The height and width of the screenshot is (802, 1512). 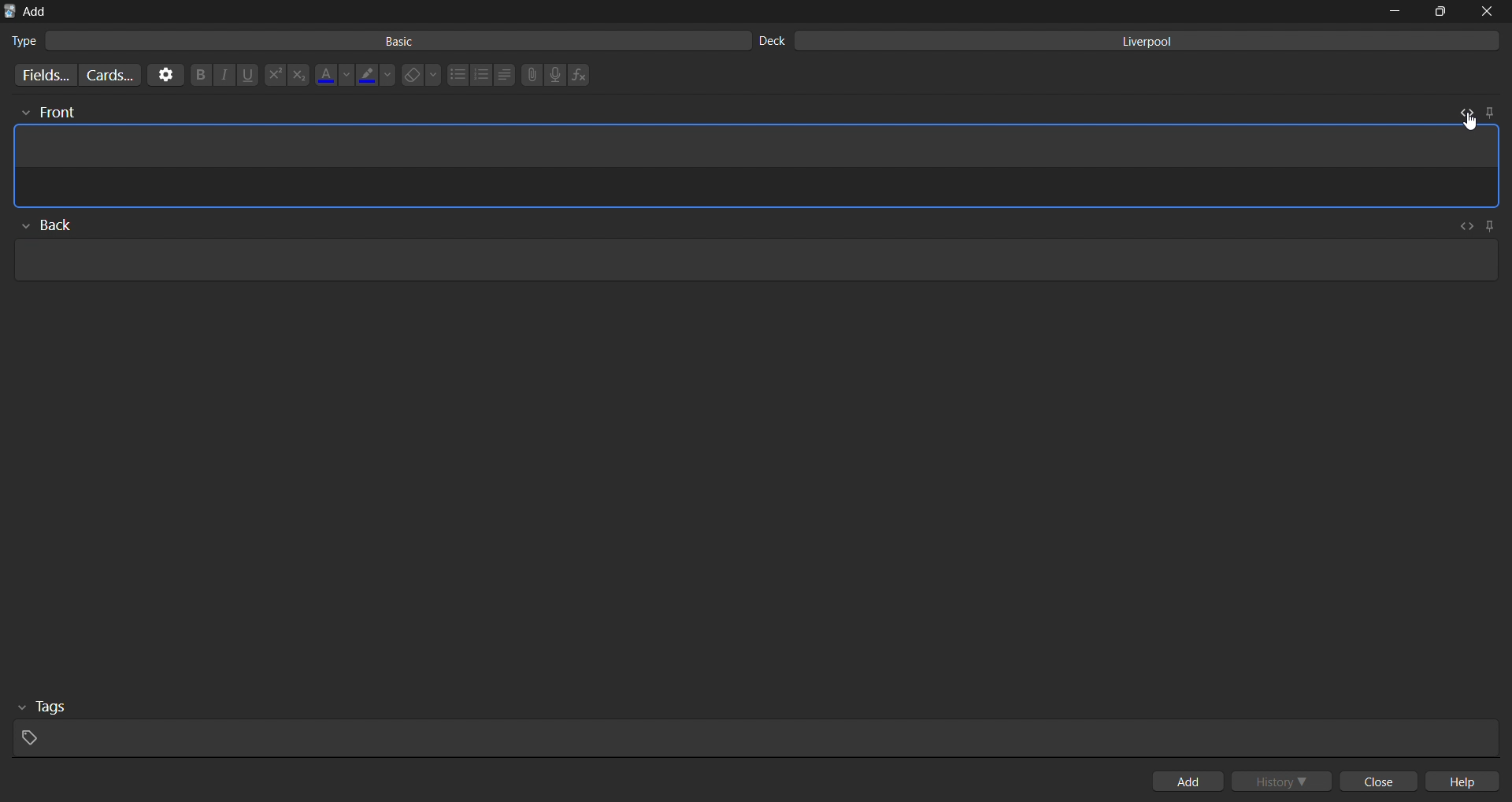 What do you see at coordinates (1463, 111) in the screenshot?
I see `toggle html editor` at bounding box center [1463, 111].